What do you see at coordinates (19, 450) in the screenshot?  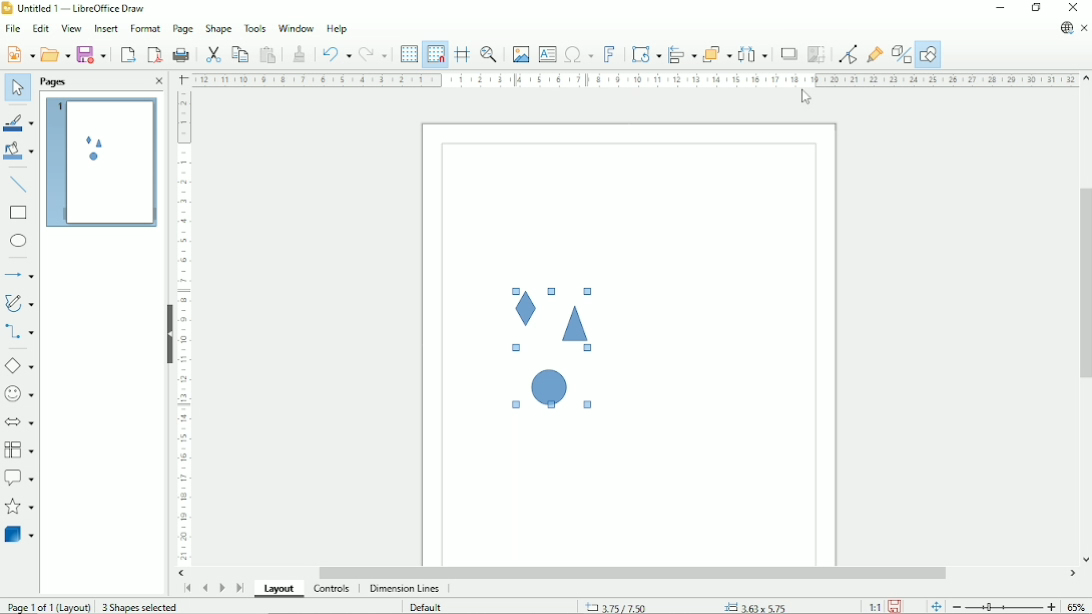 I see `Flow chart` at bounding box center [19, 450].